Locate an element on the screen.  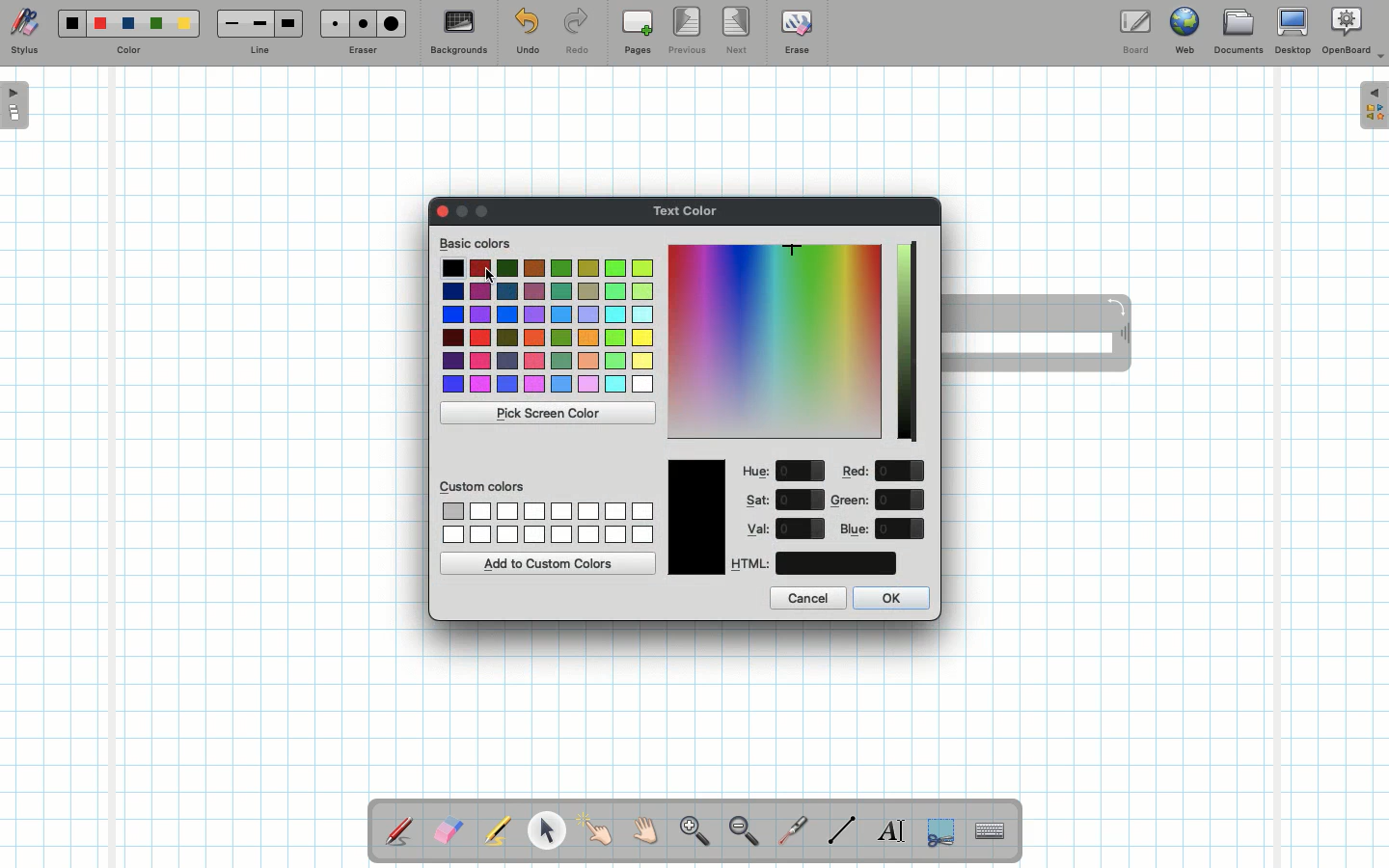
Green is located at coordinates (156, 25).